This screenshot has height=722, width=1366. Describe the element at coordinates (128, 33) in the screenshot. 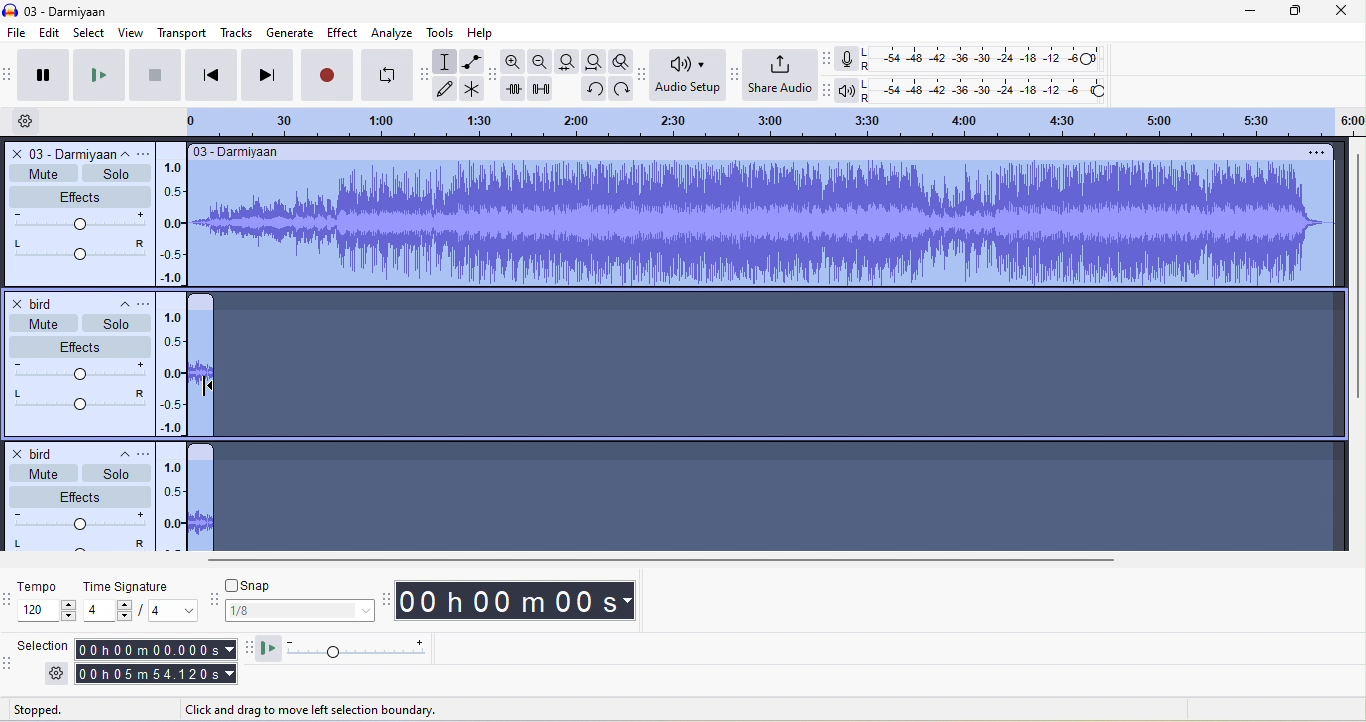

I see `view` at that location.